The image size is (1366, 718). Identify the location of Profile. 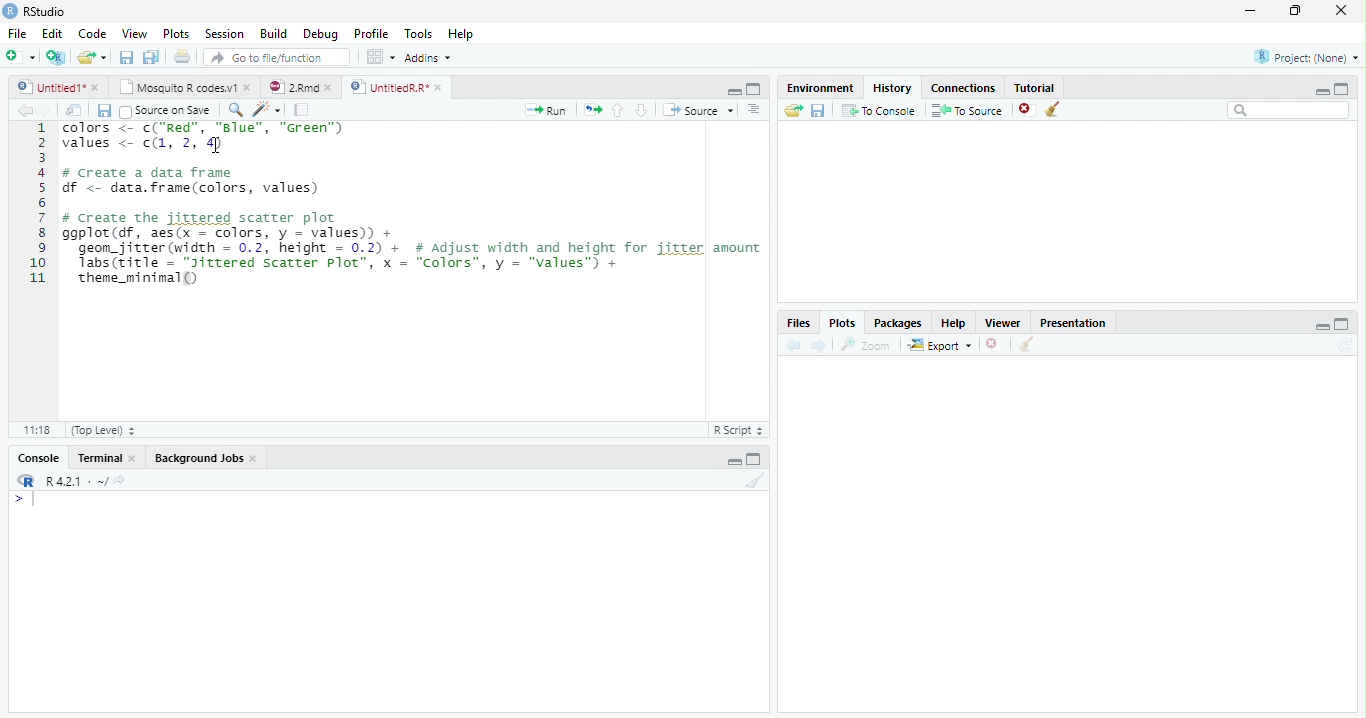
(372, 33).